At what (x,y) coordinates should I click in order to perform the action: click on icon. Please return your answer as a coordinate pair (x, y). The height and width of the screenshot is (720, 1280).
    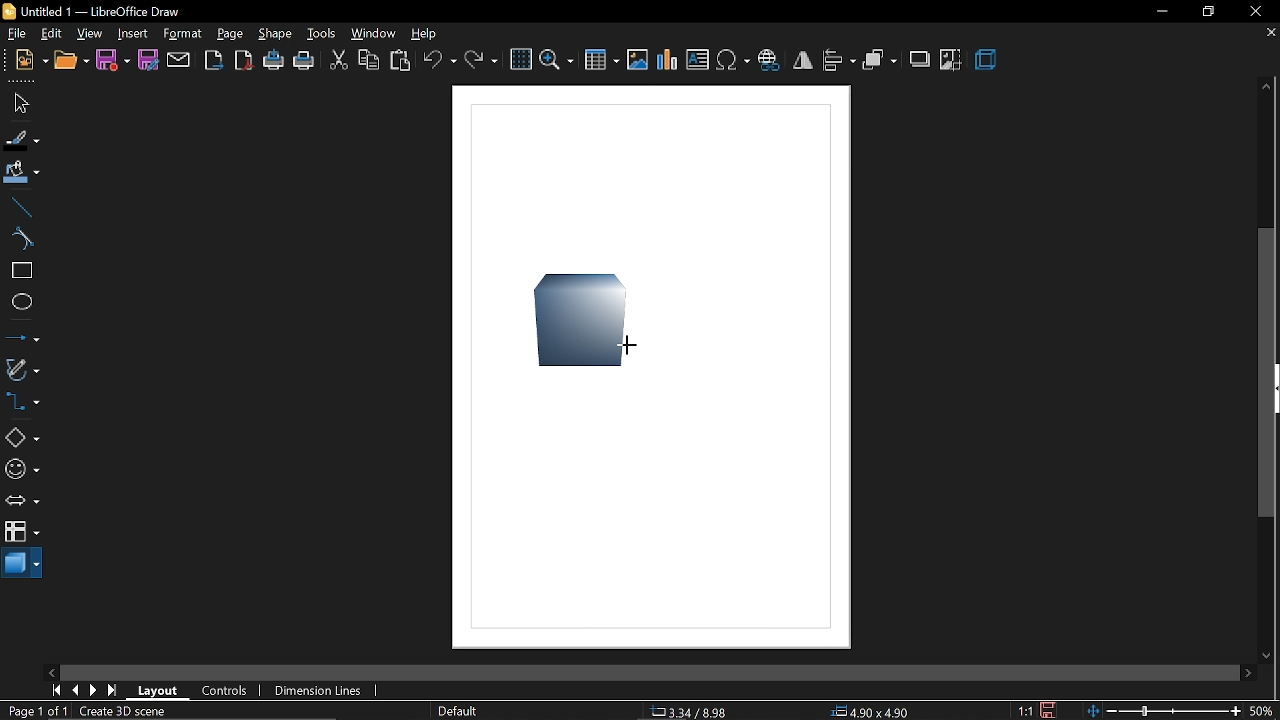
    Looking at the image, I should click on (8, 11).